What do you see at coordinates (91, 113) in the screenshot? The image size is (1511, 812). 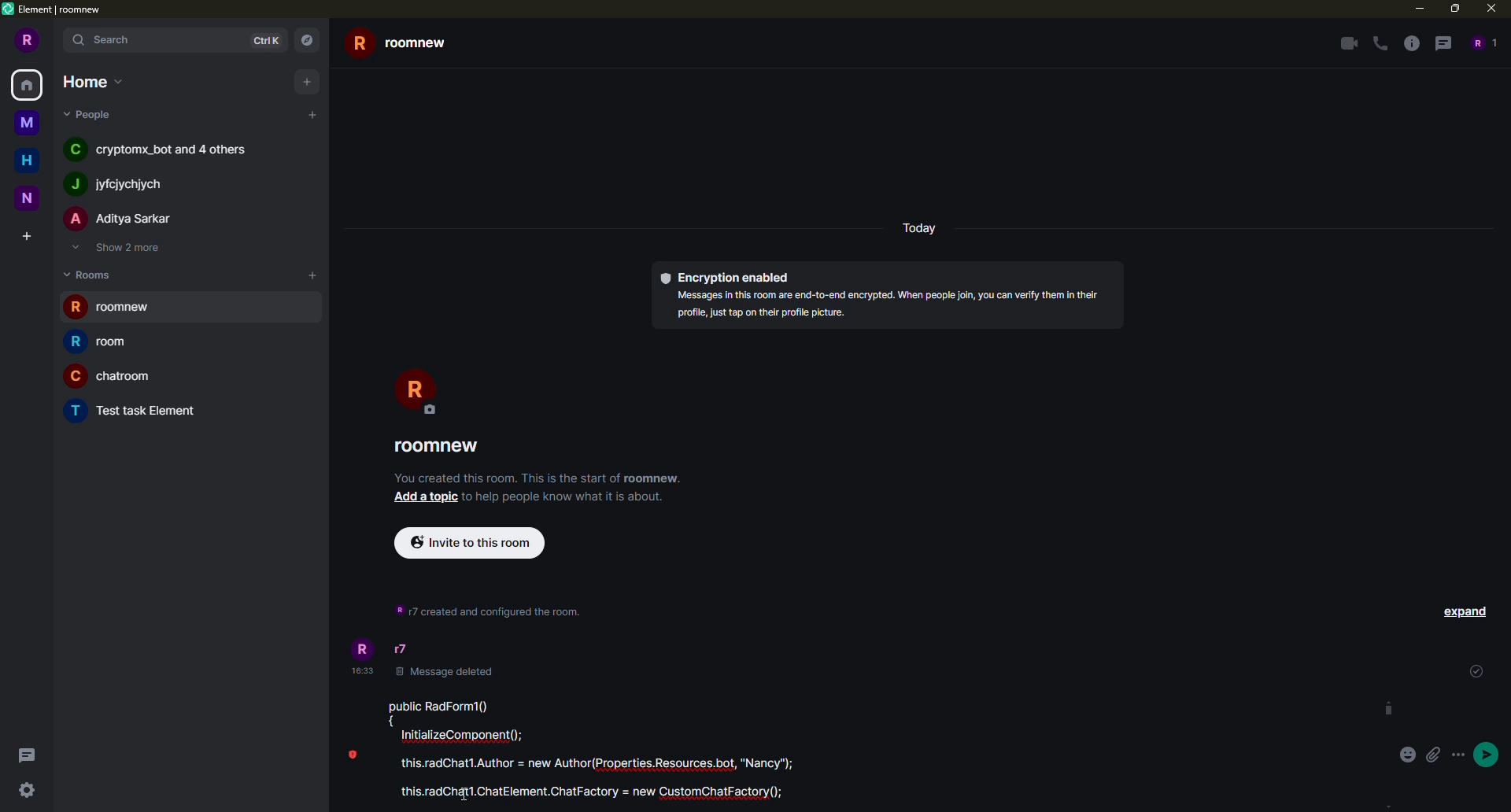 I see `people` at bounding box center [91, 113].